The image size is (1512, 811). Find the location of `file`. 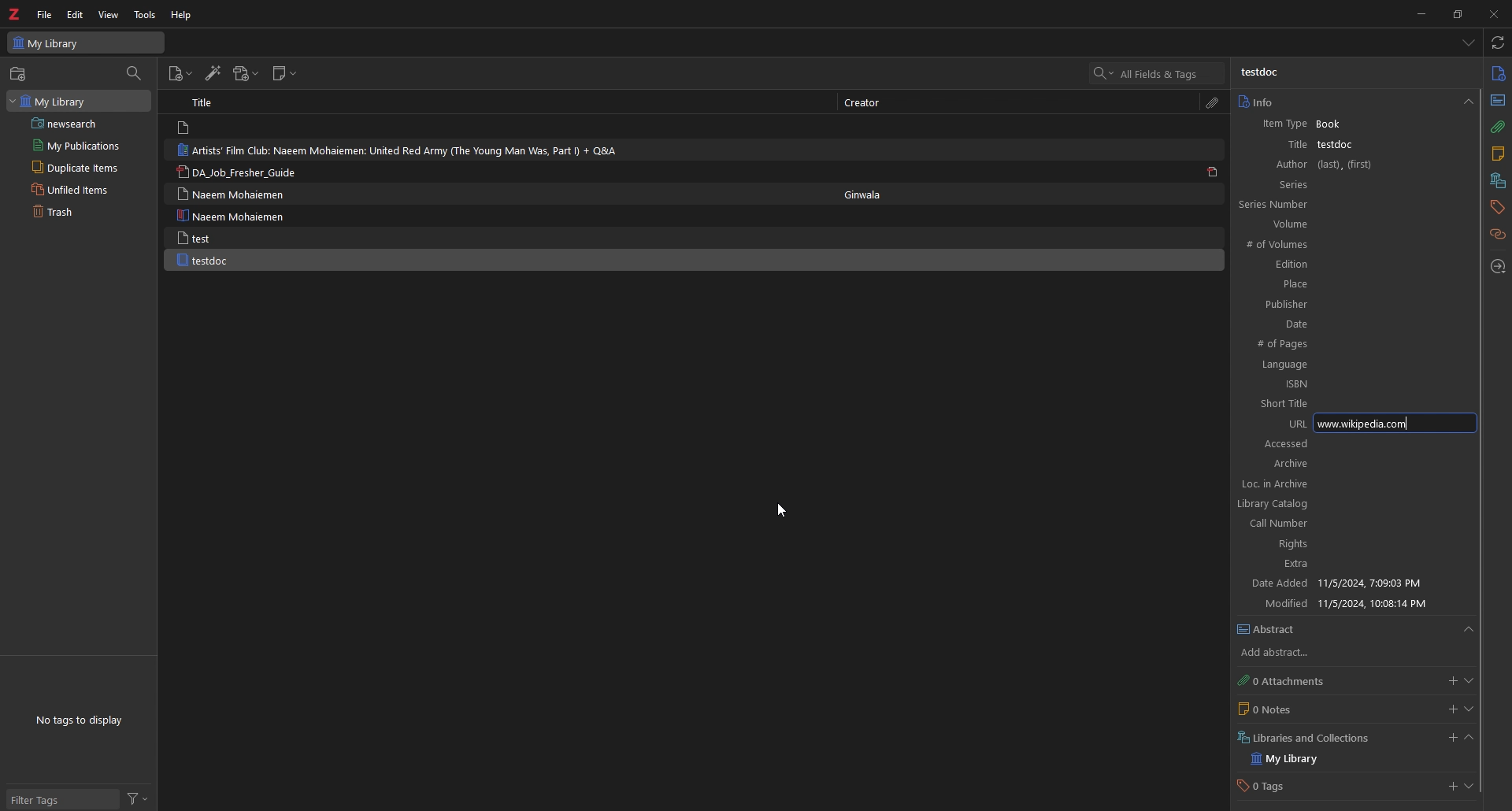

file is located at coordinates (45, 15).